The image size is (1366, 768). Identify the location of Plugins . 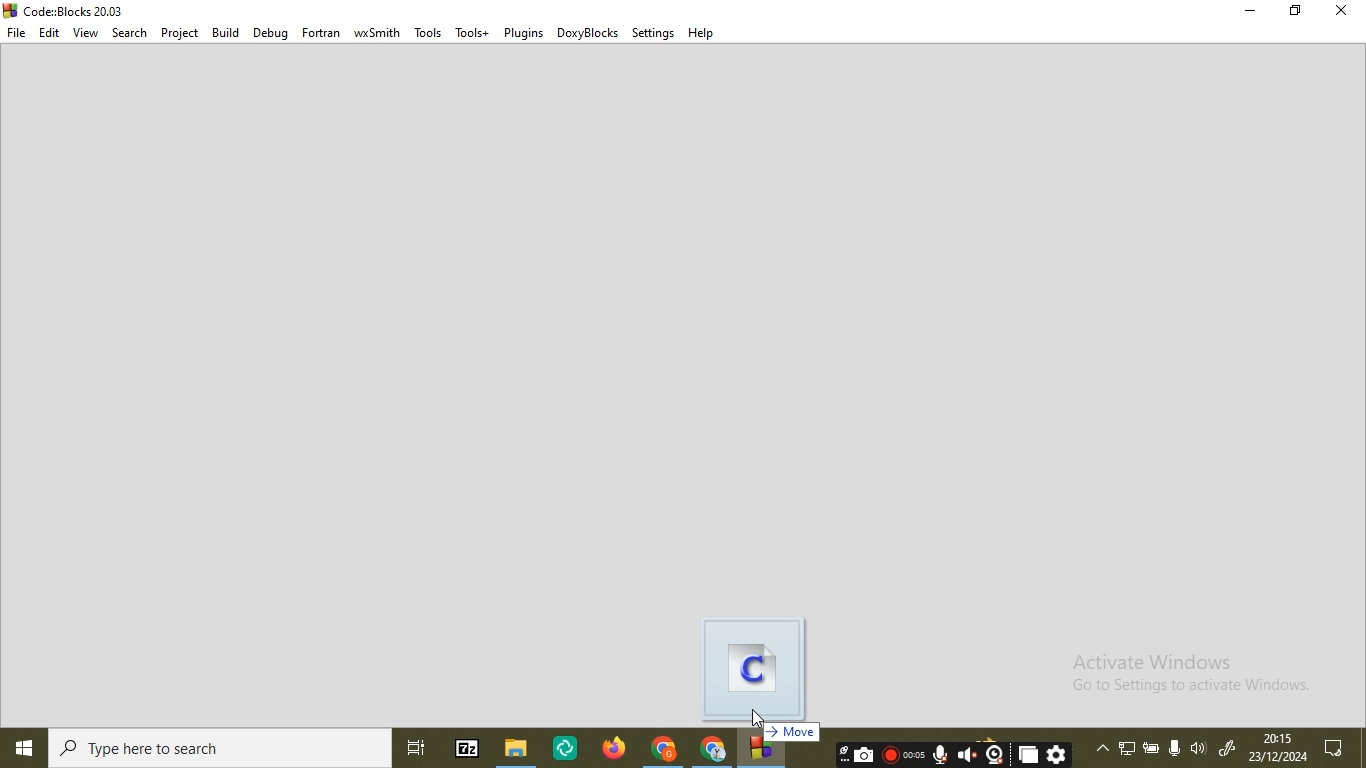
(524, 31).